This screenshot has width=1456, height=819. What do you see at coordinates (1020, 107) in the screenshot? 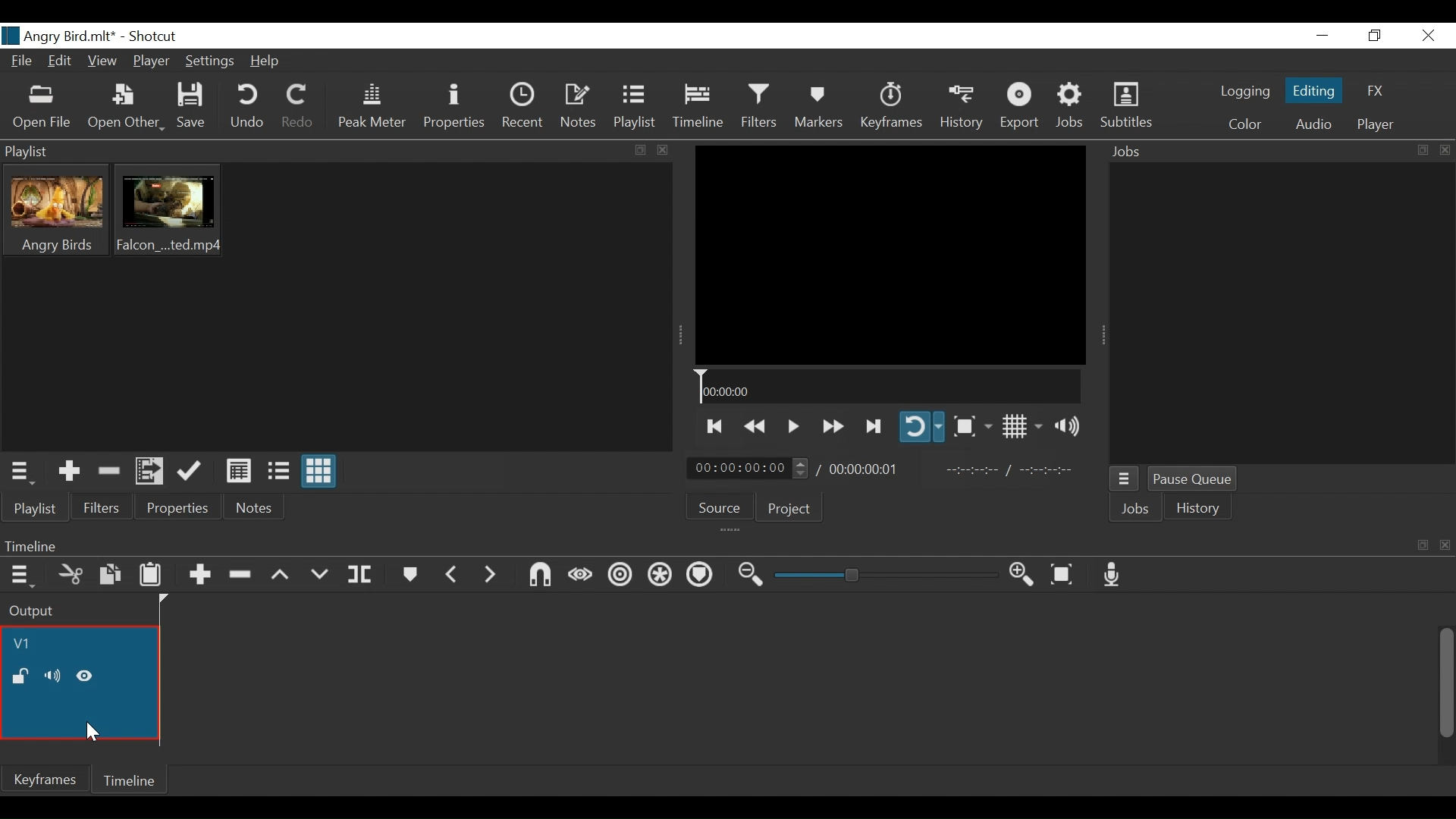
I see `Export` at bounding box center [1020, 107].